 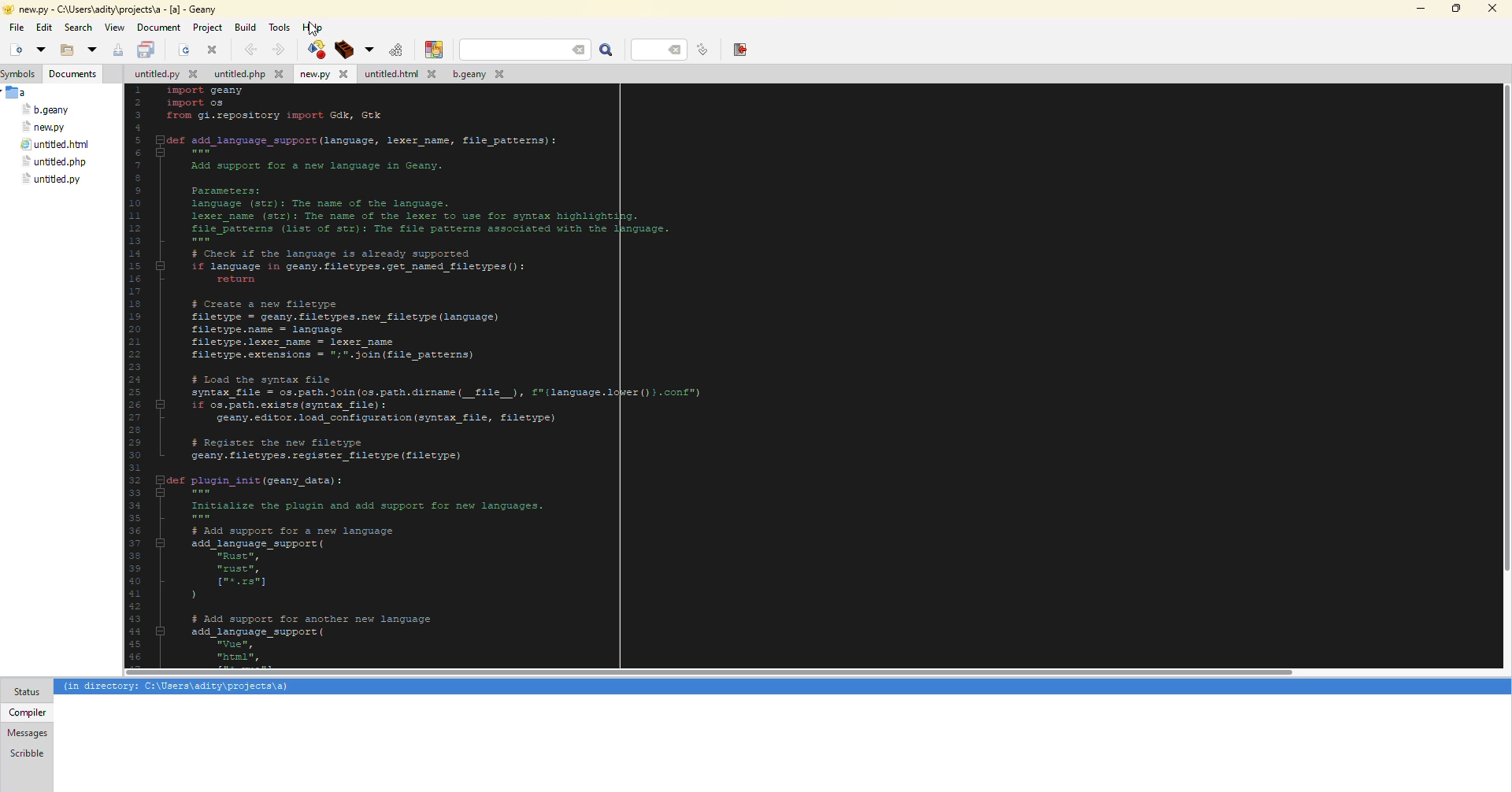 What do you see at coordinates (607, 50) in the screenshot?
I see `search` at bounding box center [607, 50].